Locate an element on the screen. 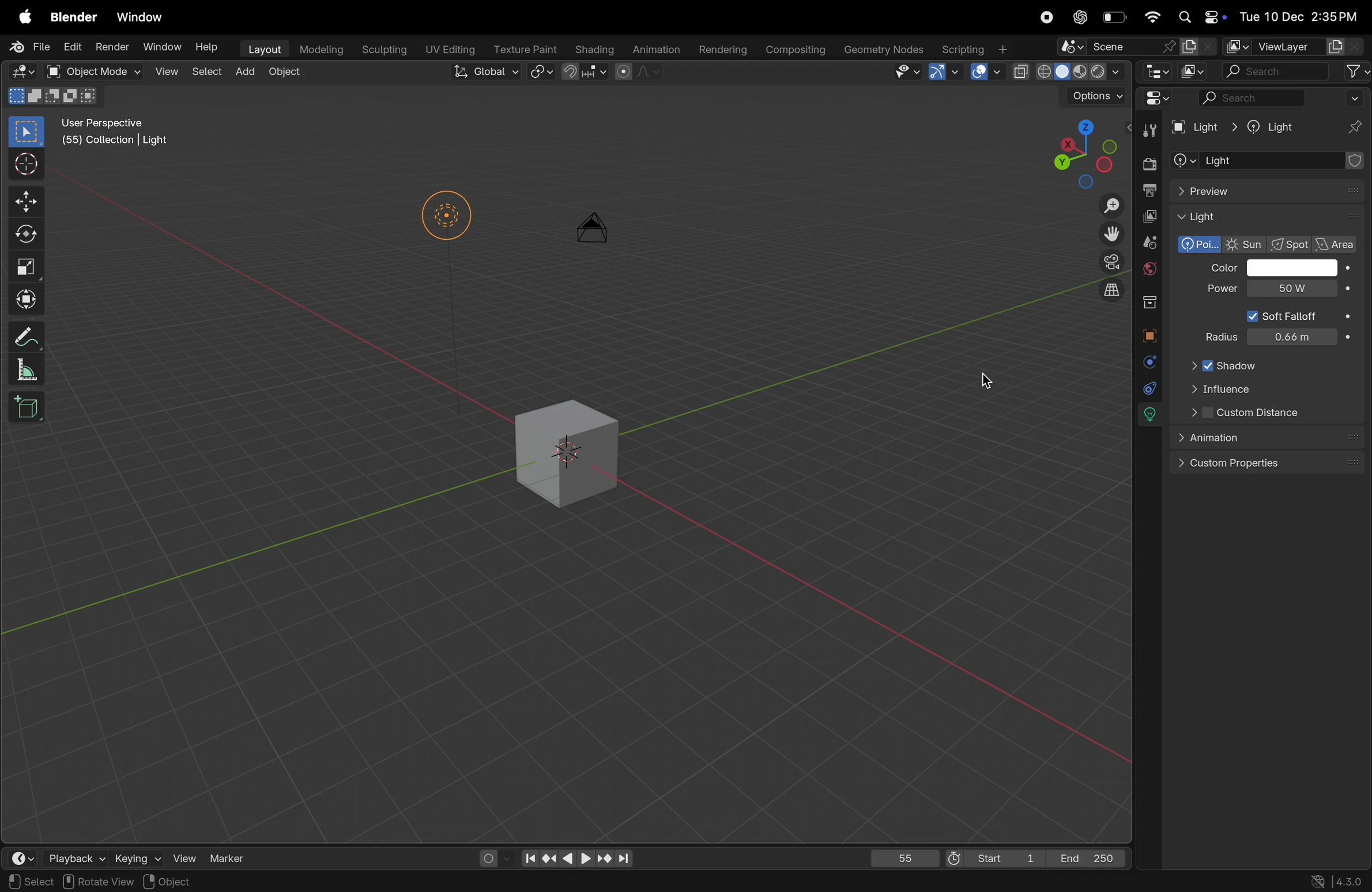 The width and height of the screenshot is (1372, 892). Shadow is located at coordinates (1243, 364).